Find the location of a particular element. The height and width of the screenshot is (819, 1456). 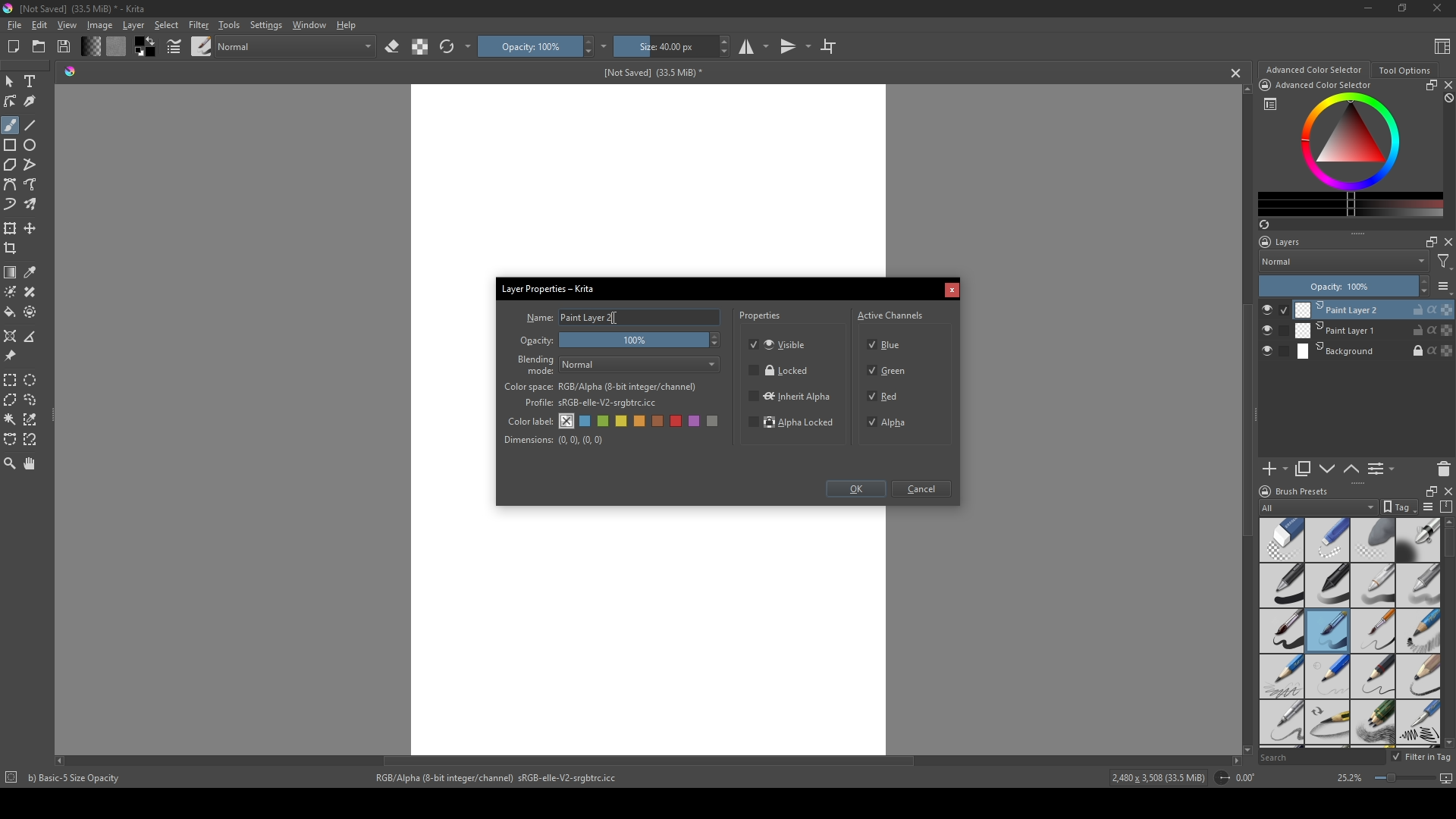

elliptical is located at coordinates (33, 379).